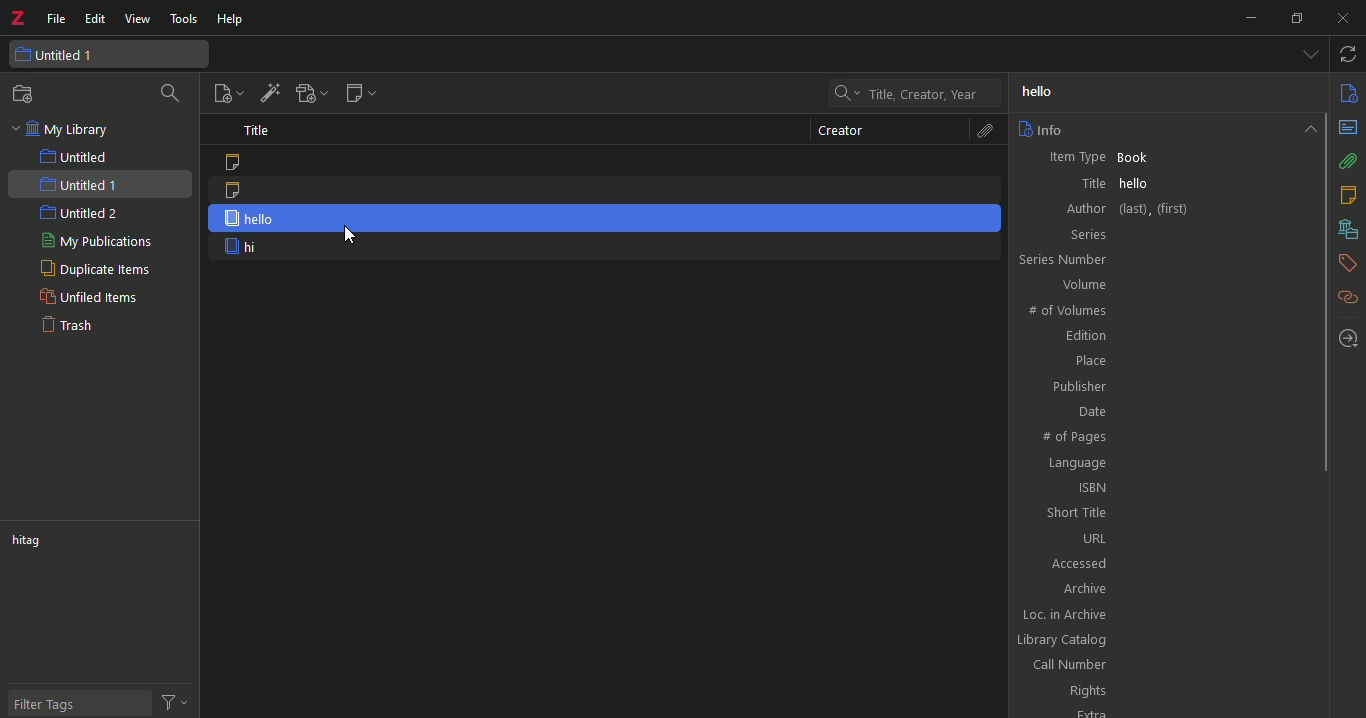 The height and width of the screenshot is (718, 1366). What do you see at coordinates (245, 188) in the screenshot?
I see `note` at bounding box center [245, 188].